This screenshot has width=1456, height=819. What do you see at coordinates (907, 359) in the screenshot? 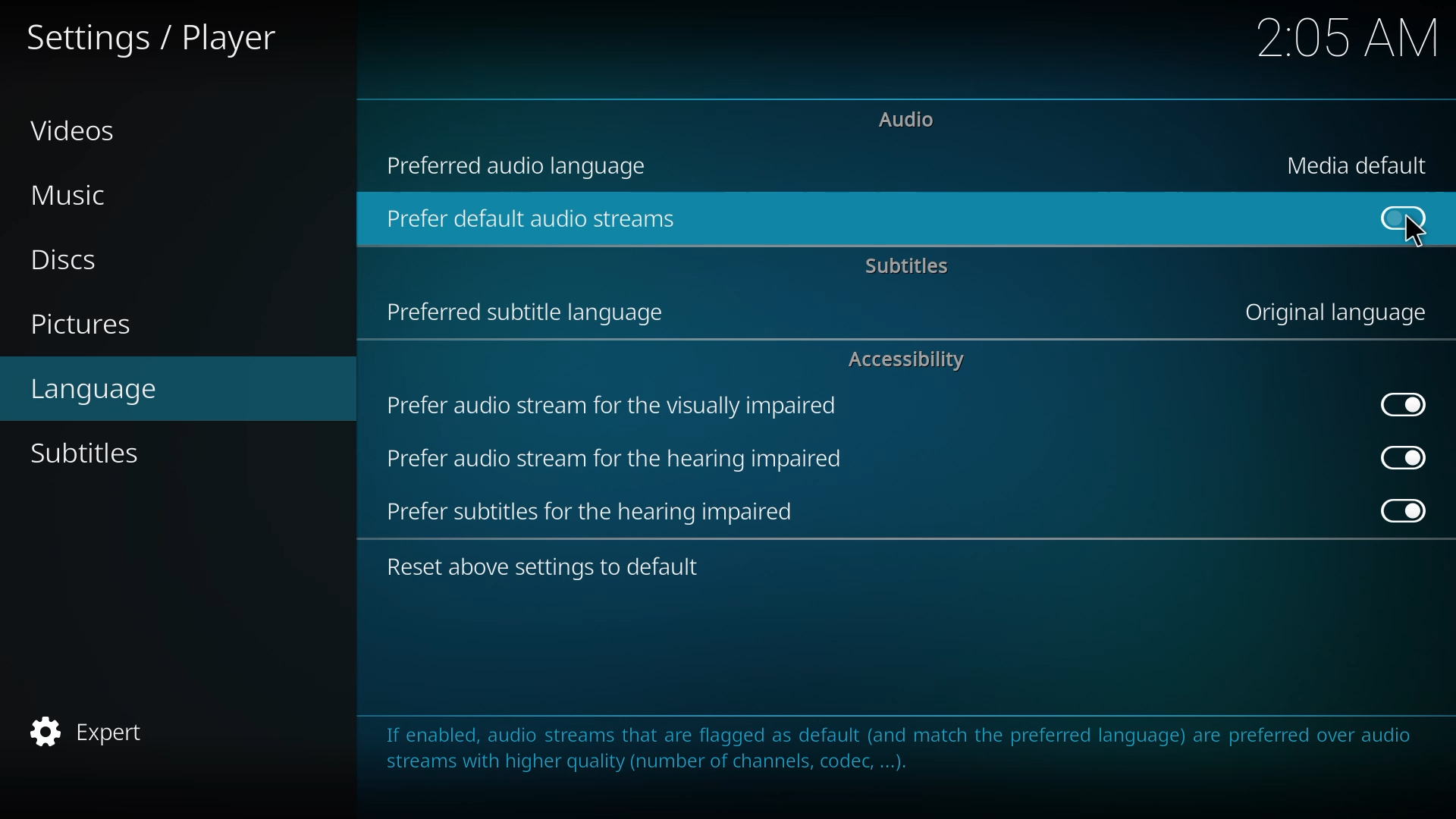
I see `accessibility` at bounding box center [907, 359].